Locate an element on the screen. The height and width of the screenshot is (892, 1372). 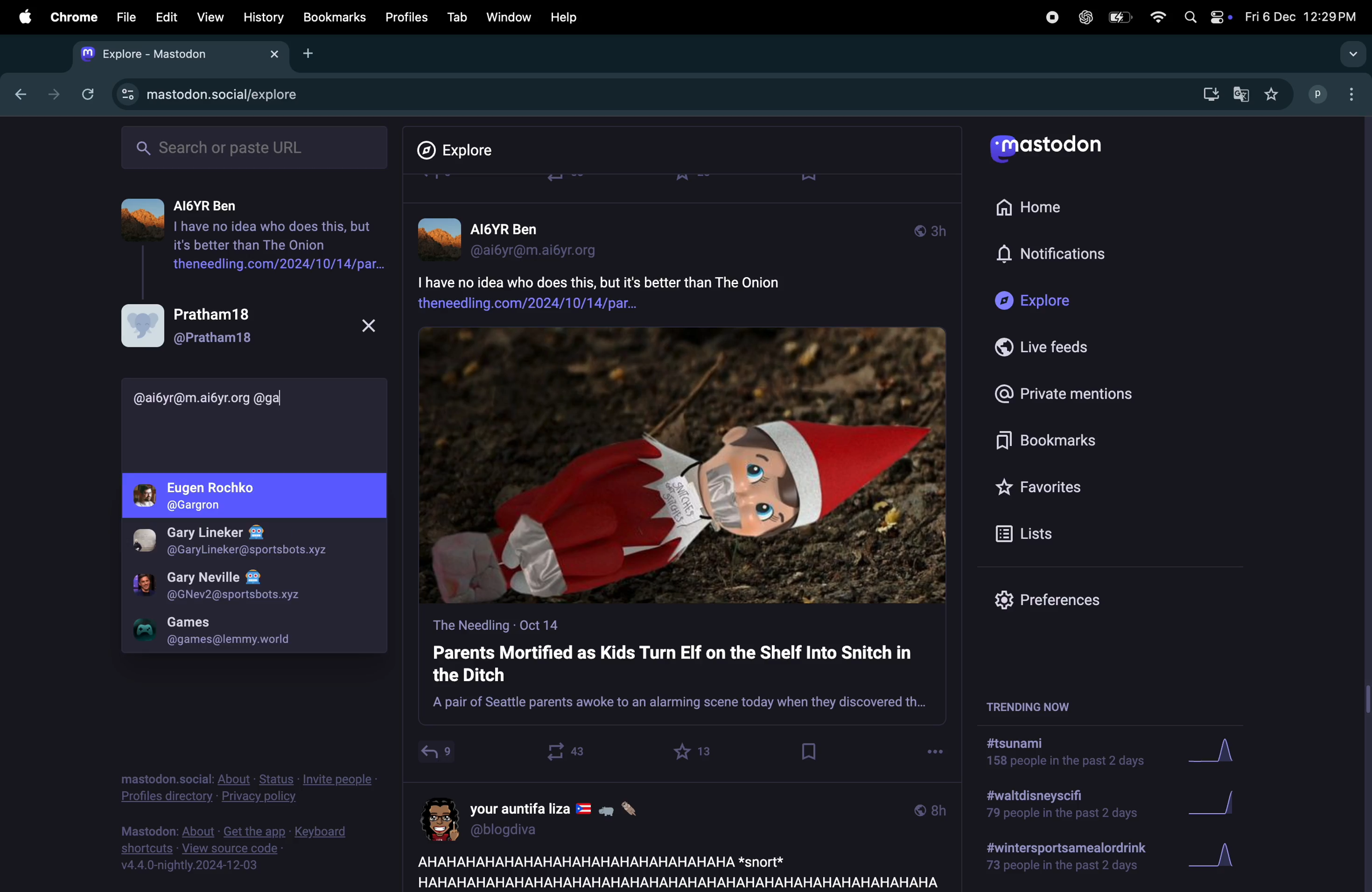
Explore is located at coordinates (1039, 301).